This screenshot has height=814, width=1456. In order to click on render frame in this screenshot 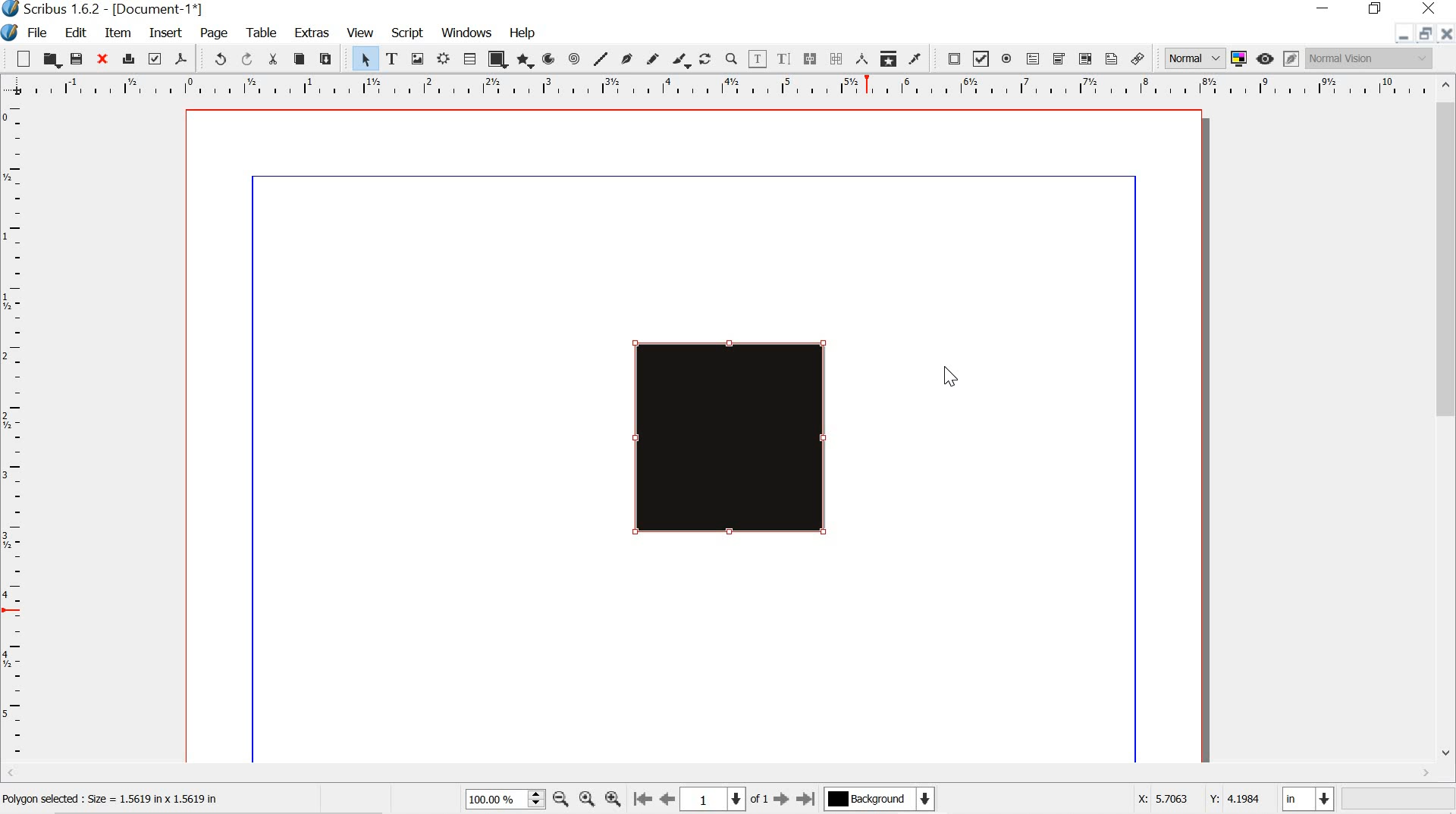, I will do `click(444, 59)`.